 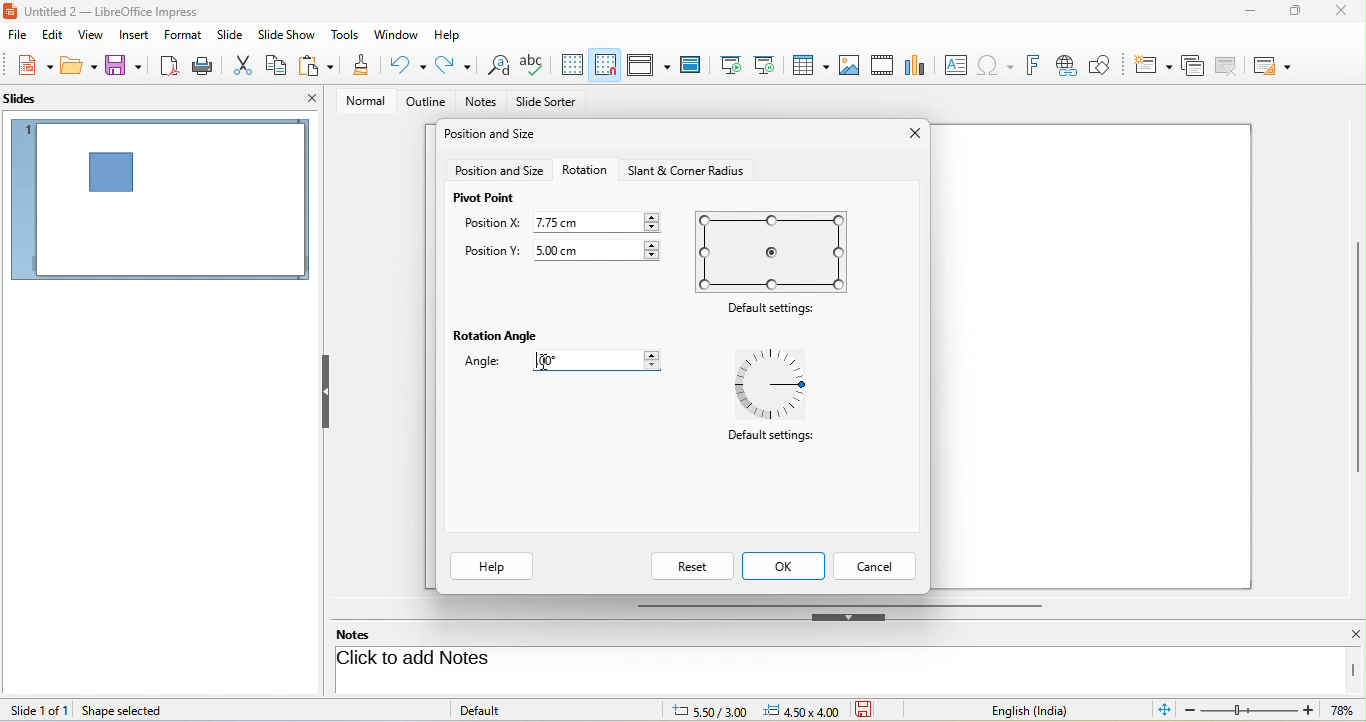 What do you see at coordinates (775, 251) in the screenshot?
I see `default settings` at bounding box center [775, 251].